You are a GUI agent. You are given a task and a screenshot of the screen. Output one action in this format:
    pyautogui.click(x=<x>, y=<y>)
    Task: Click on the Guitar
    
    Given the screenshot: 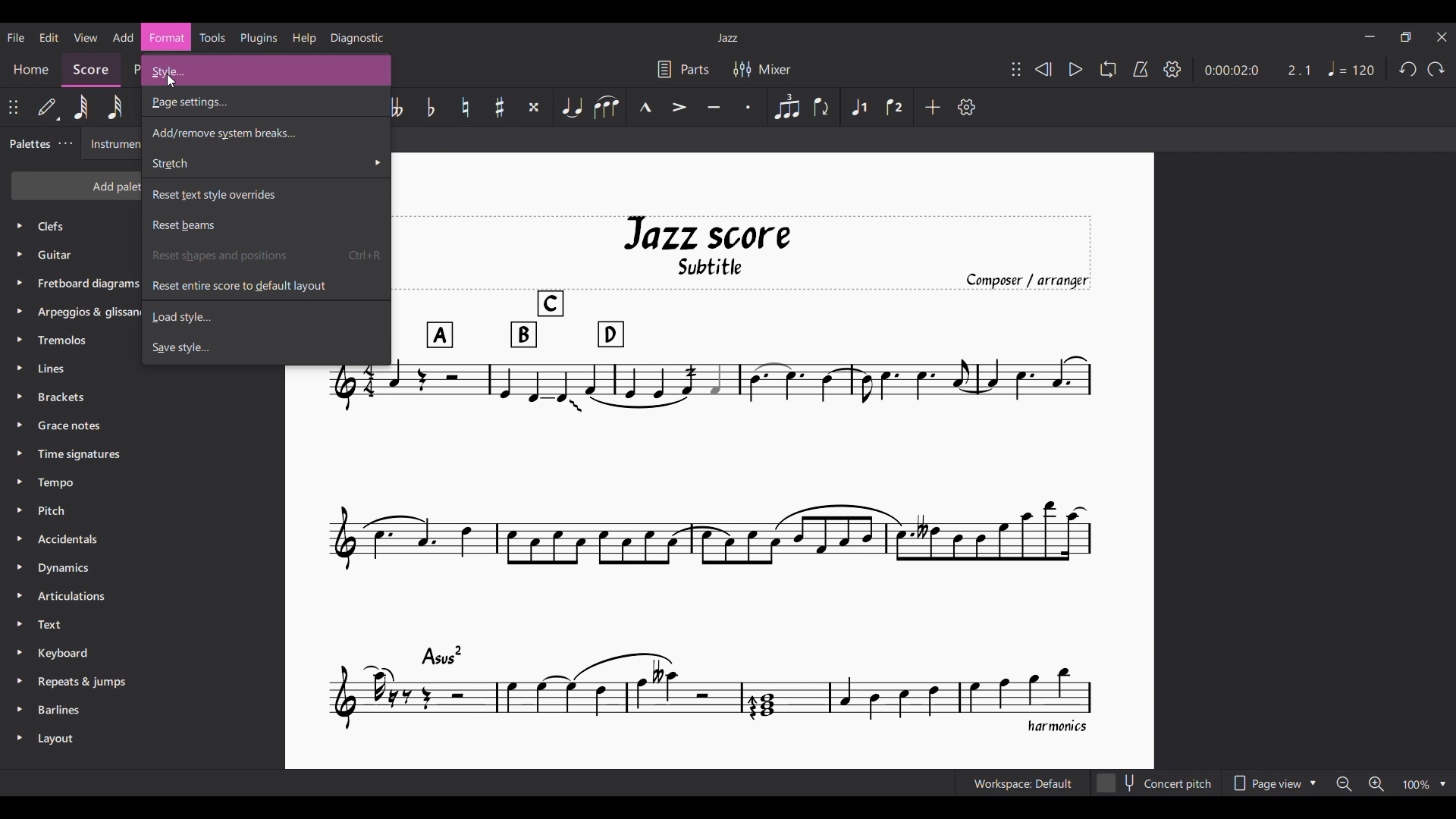 What is the action you would take?
    pyautogui.click(x=60, y=256)
    